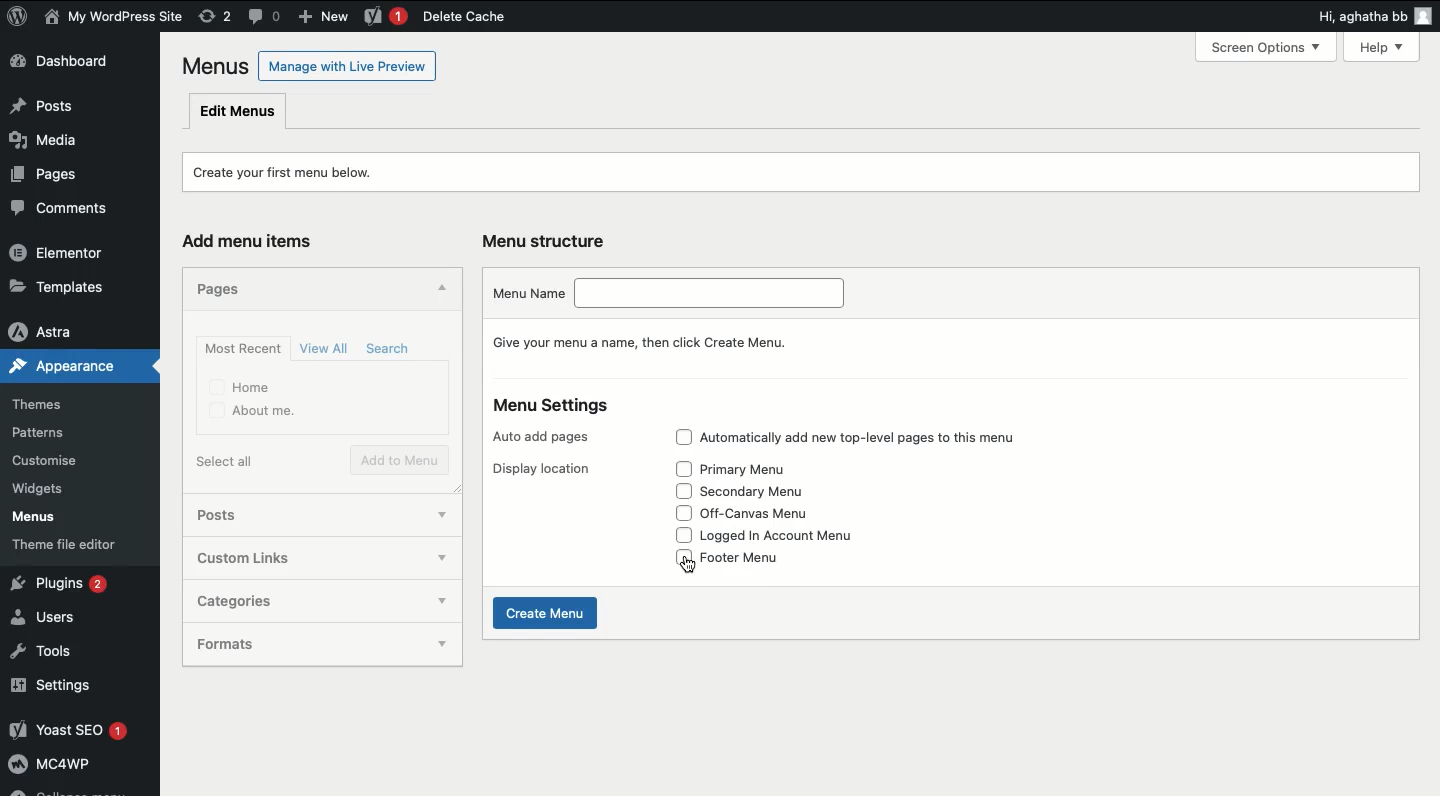 The width and height of the screenshot is (1440, 796). Describe the element at coordinates (399, 459) in the screenshot. I see `Add to menu` at that location.